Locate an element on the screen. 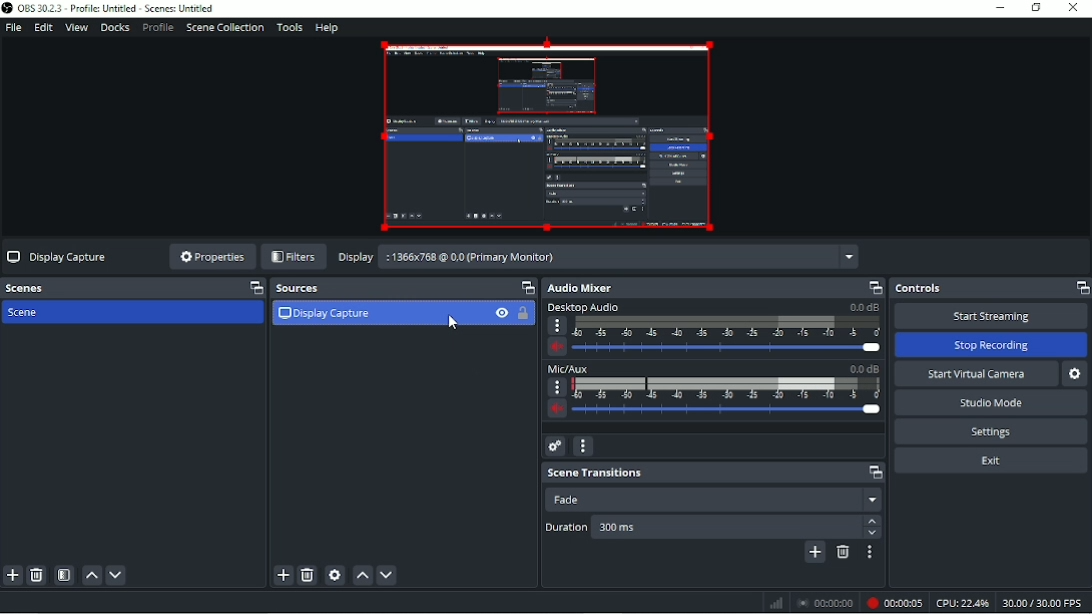 This screenshot has width=1092, height=614. Profile is located at coordinates (158, 28).